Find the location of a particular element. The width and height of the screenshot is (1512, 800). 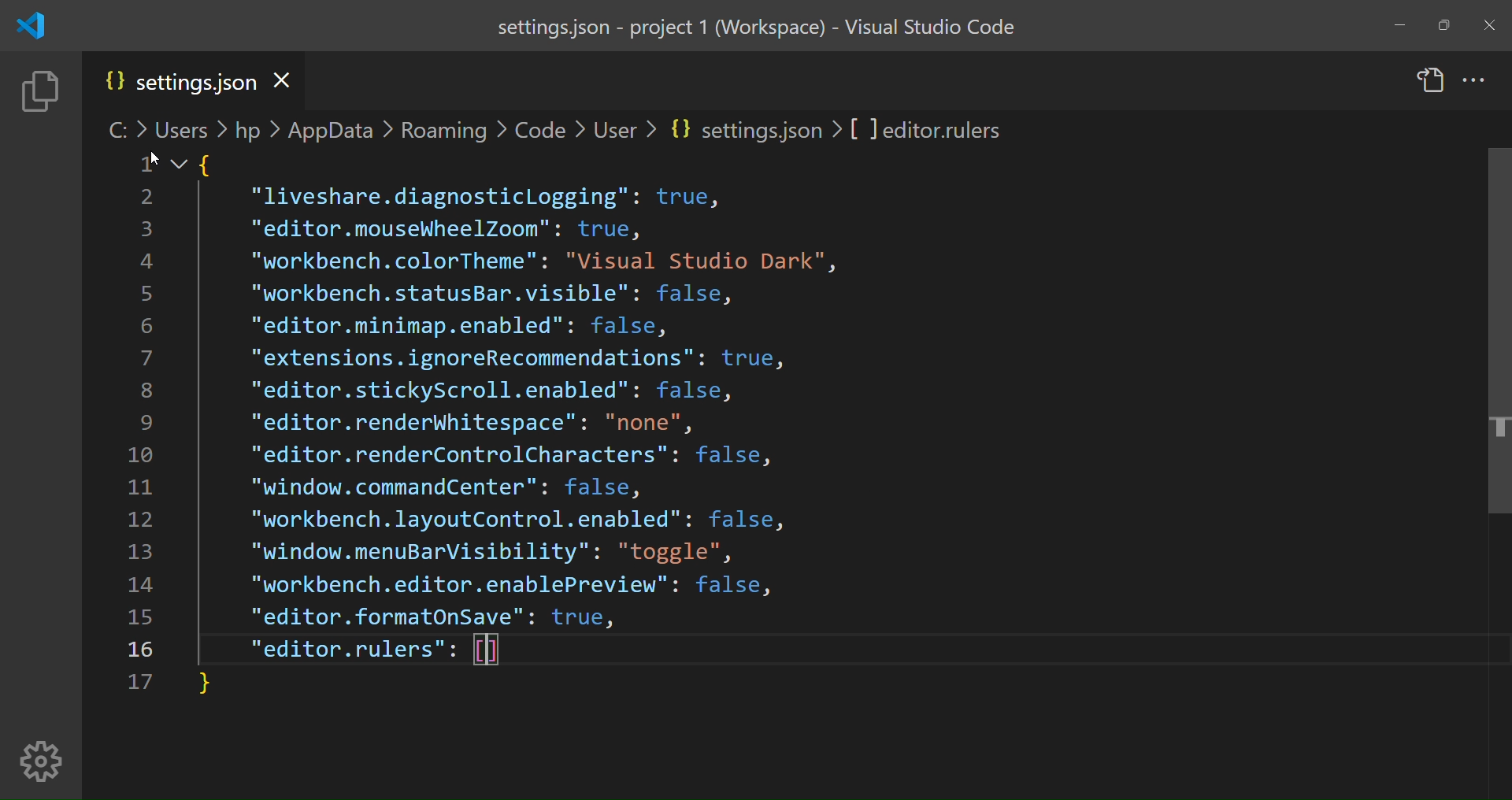

maximize is located at coordinates (1442, 26).